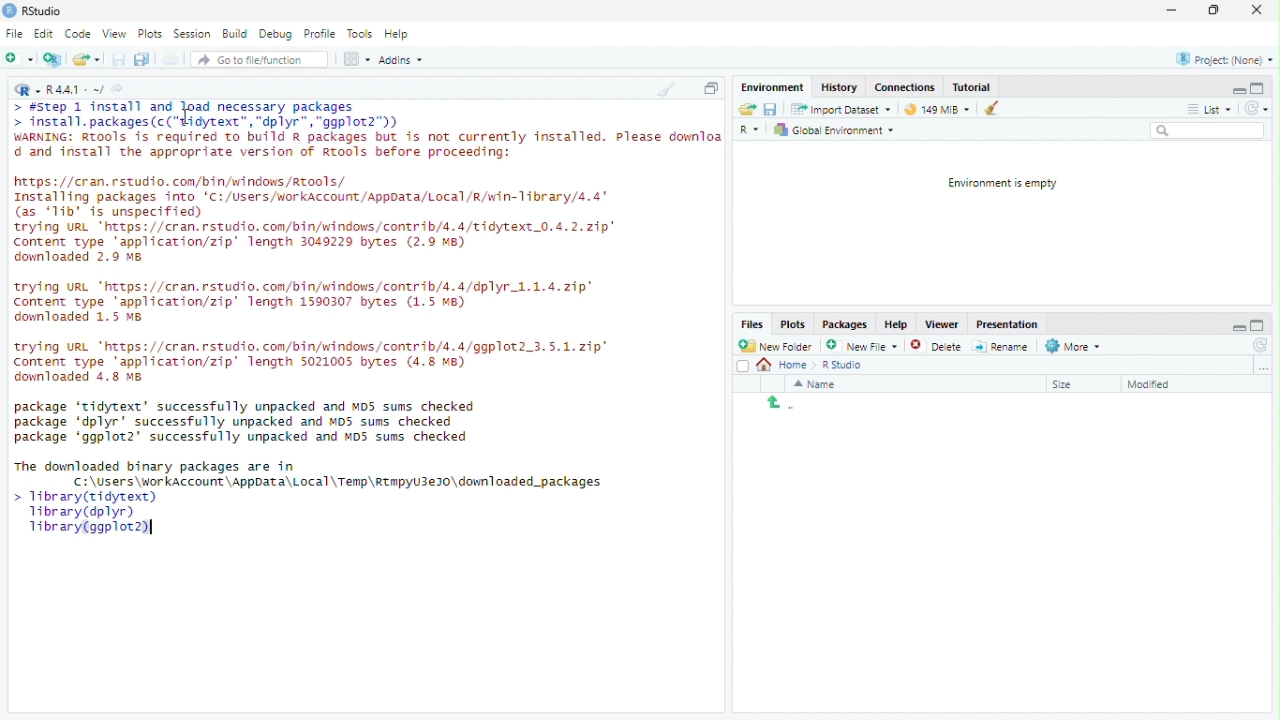 The height and width of the screenshot is (720, 1280). What do you see at coordinates (1238, 326) in the screenshot?
I see `Minimize` at bounding box center [1238, 326].